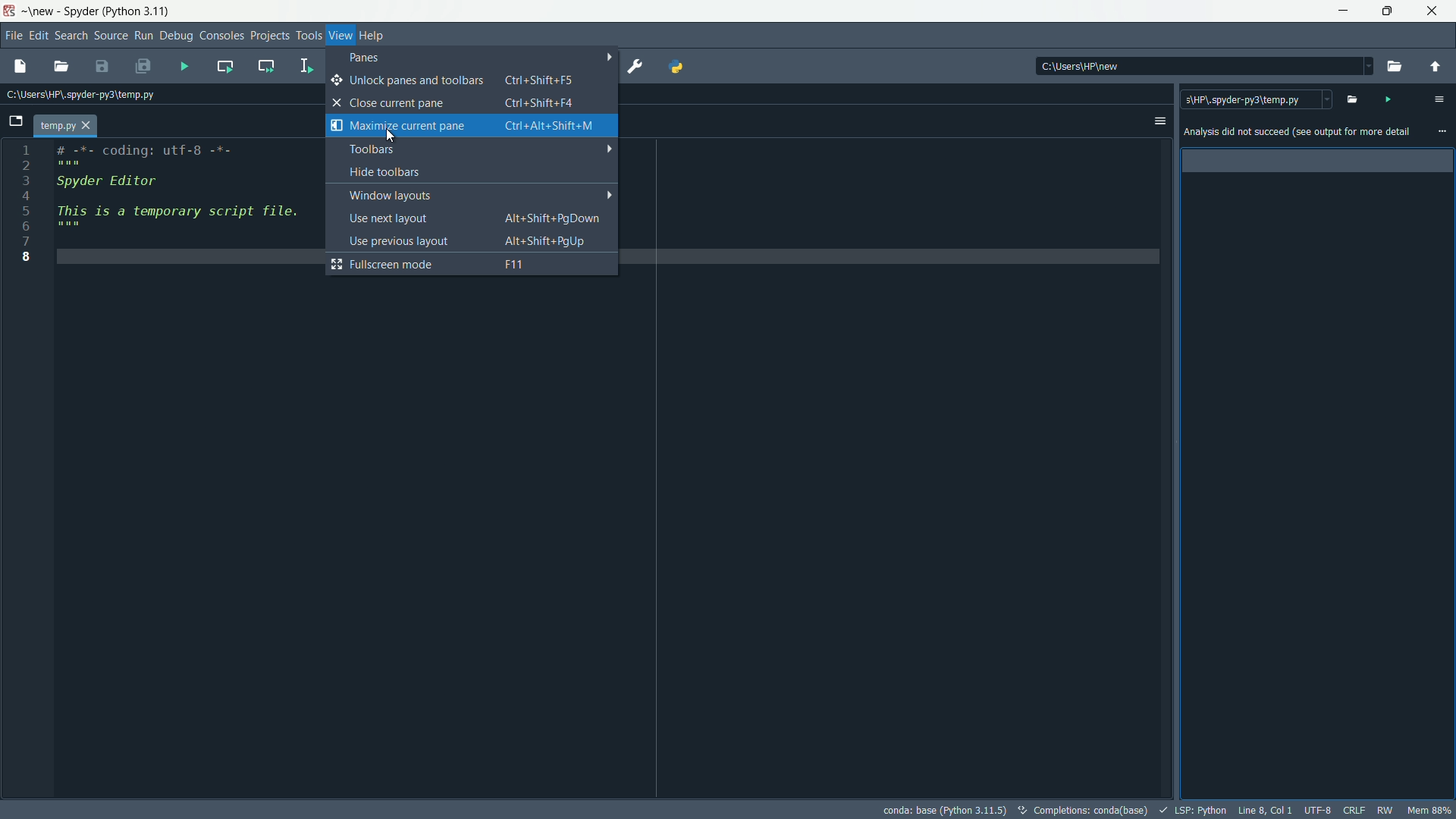 Image resolution: width=1456 pixels, height=819 pixels. What do you see at coordinates (1316, 808) in the screenshot?
I see `file encoding` at bounding box center [1316, 808].